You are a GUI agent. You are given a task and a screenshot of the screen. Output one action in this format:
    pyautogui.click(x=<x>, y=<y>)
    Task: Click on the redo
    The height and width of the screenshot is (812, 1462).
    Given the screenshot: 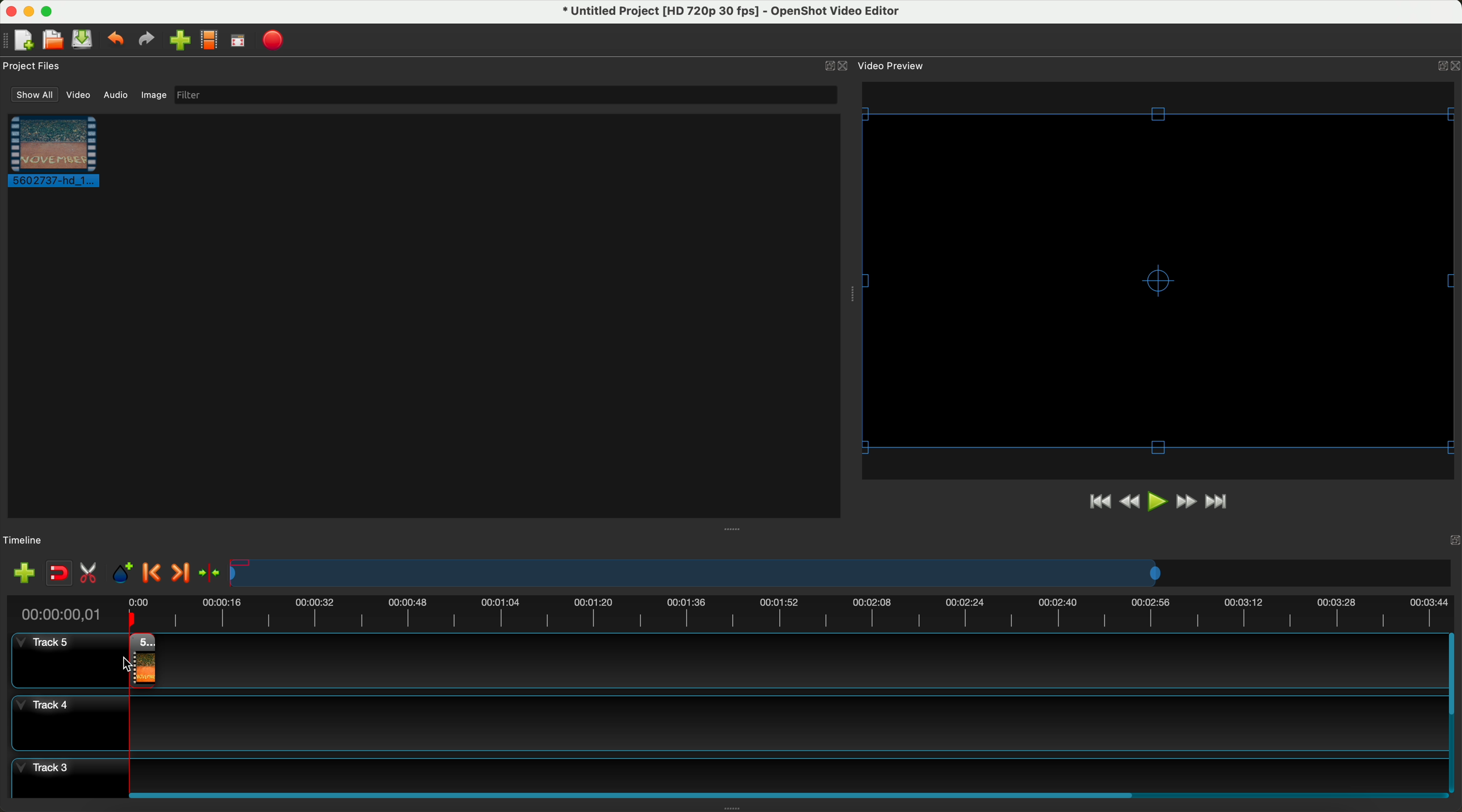 What is the action you would take?
    pyautogui.click(x=146, y=40)
    